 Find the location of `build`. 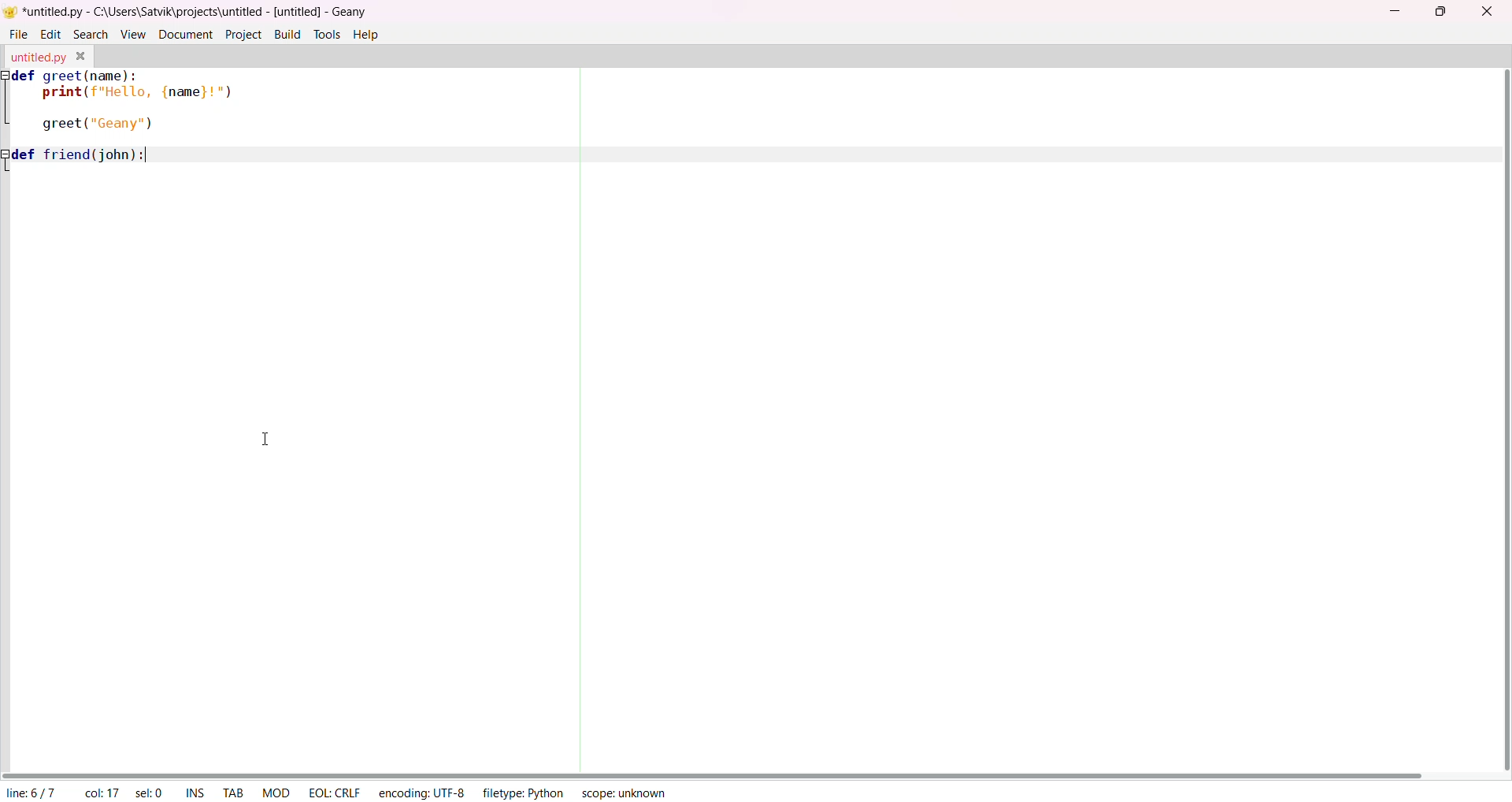

build is located at coordinates (289, 35).